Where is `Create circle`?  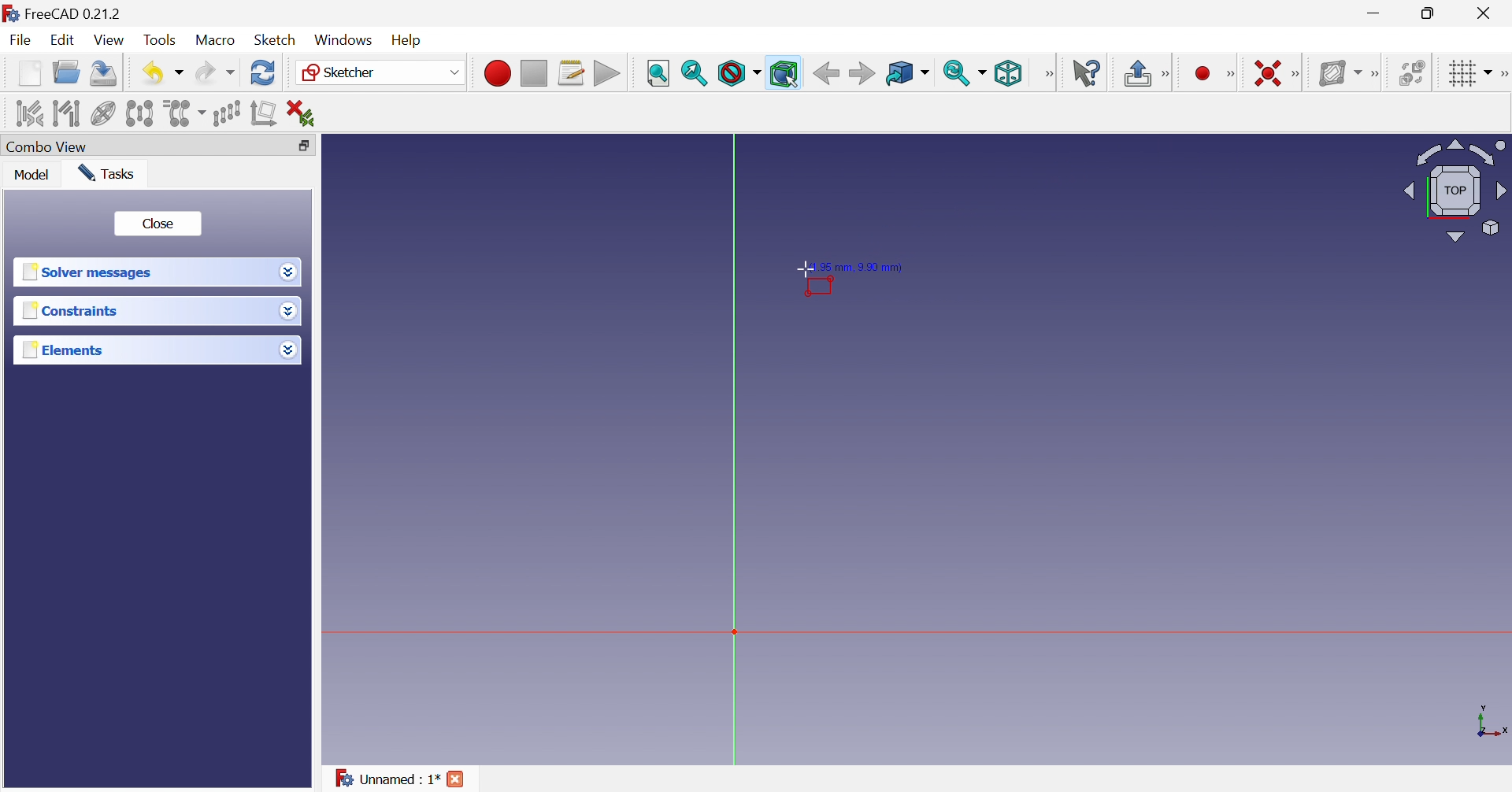
Create circle is located at coordinates (1203, 74).